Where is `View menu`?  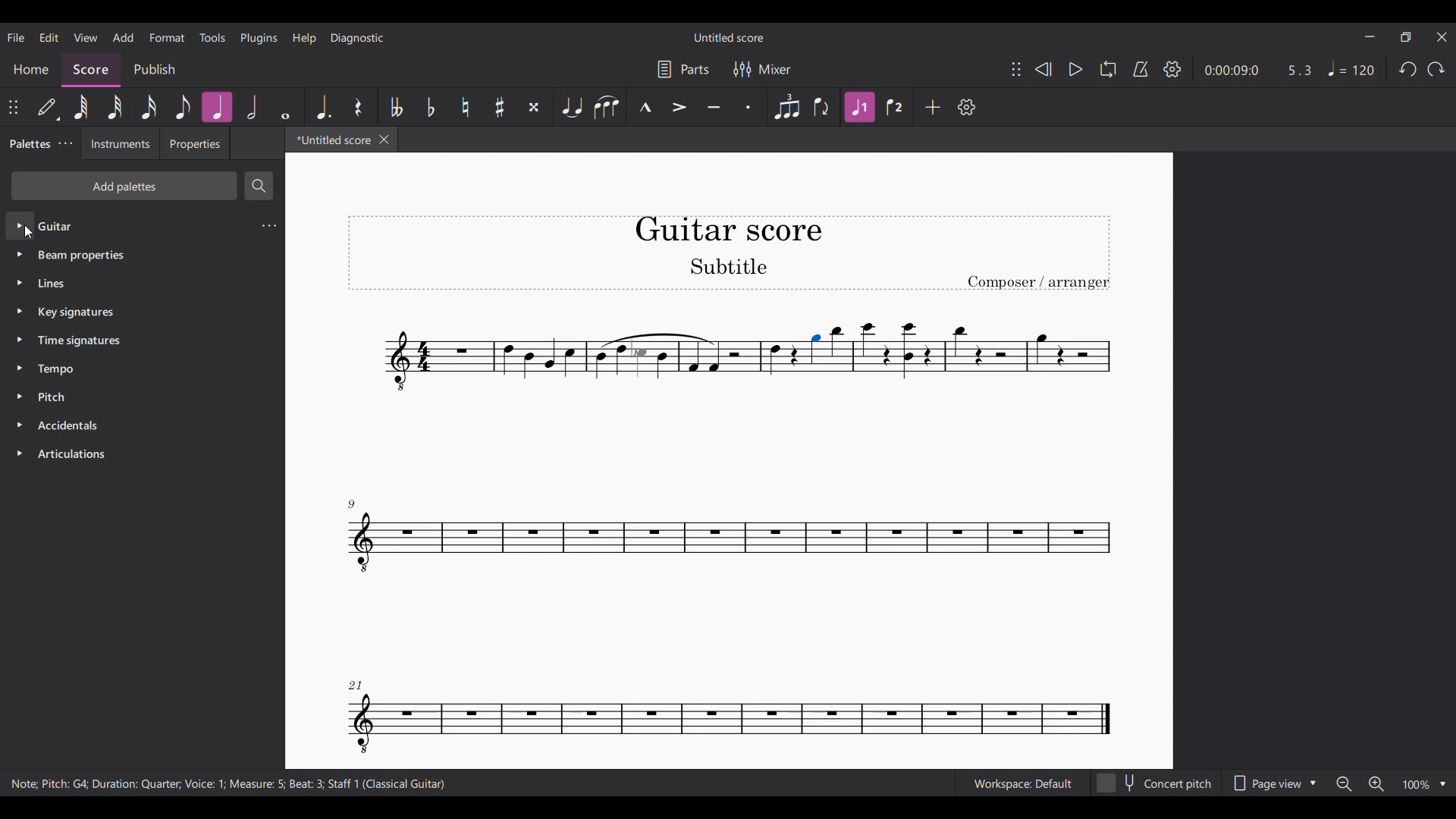 View menu is located at coordinates (86, 38).